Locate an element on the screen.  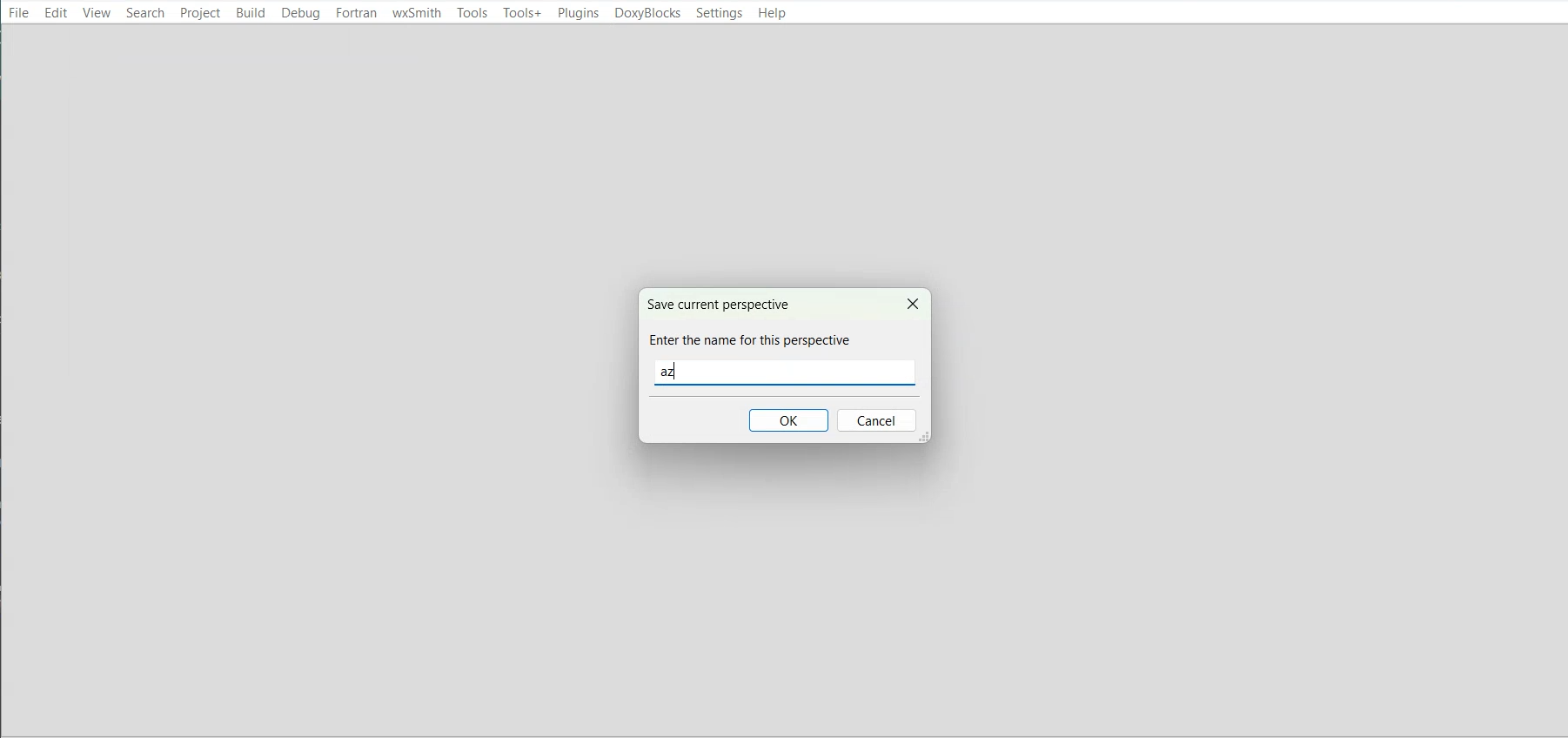
Project is located at coordinates (199, 12).